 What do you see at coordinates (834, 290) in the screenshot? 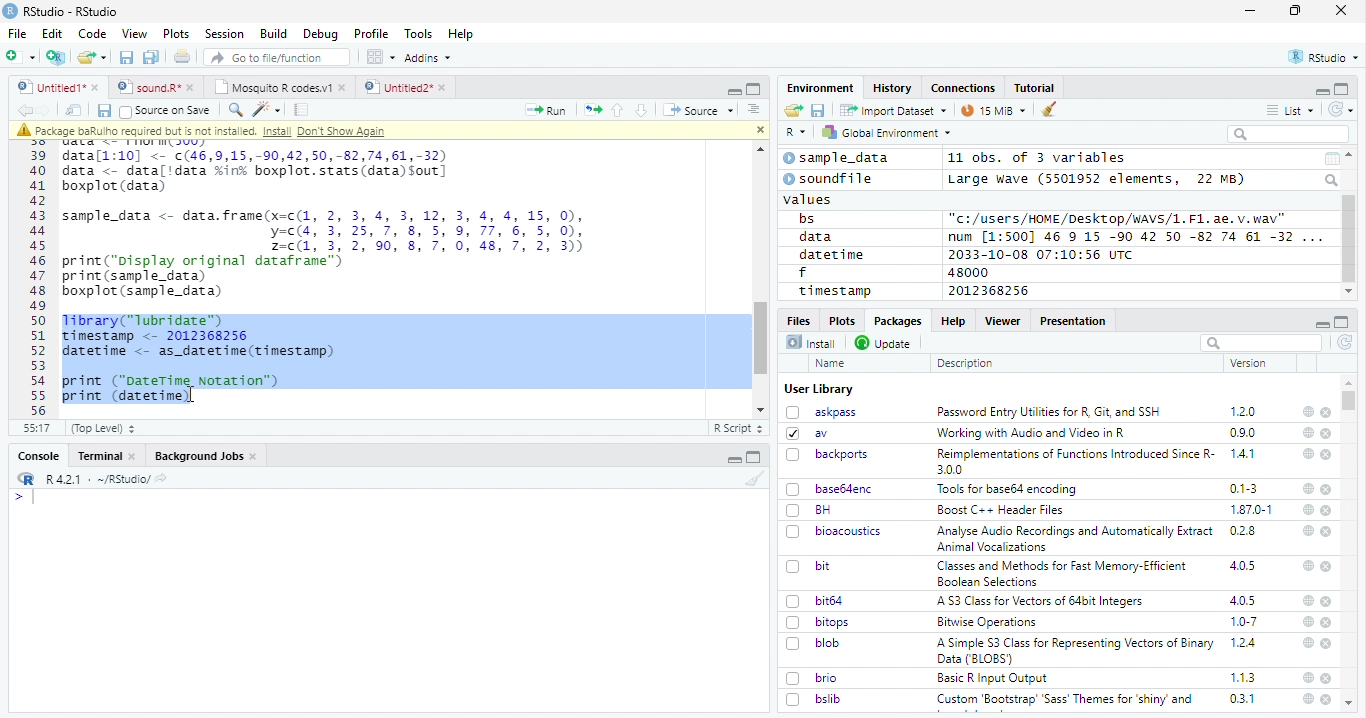
I see `timestamp` at bounding box center [834, 290].